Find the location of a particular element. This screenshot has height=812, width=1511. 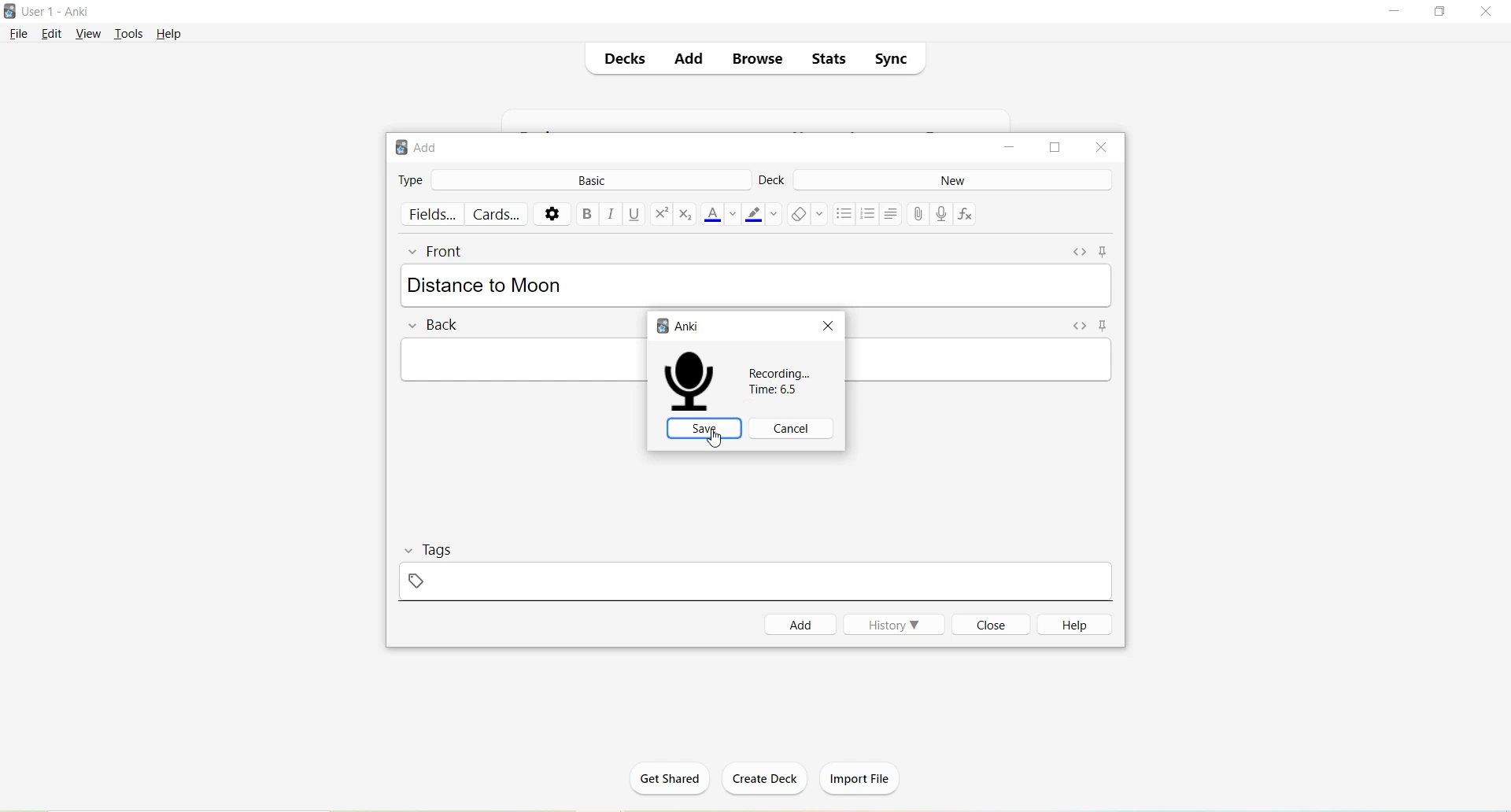

Decks is located at coordinates (623, 57).